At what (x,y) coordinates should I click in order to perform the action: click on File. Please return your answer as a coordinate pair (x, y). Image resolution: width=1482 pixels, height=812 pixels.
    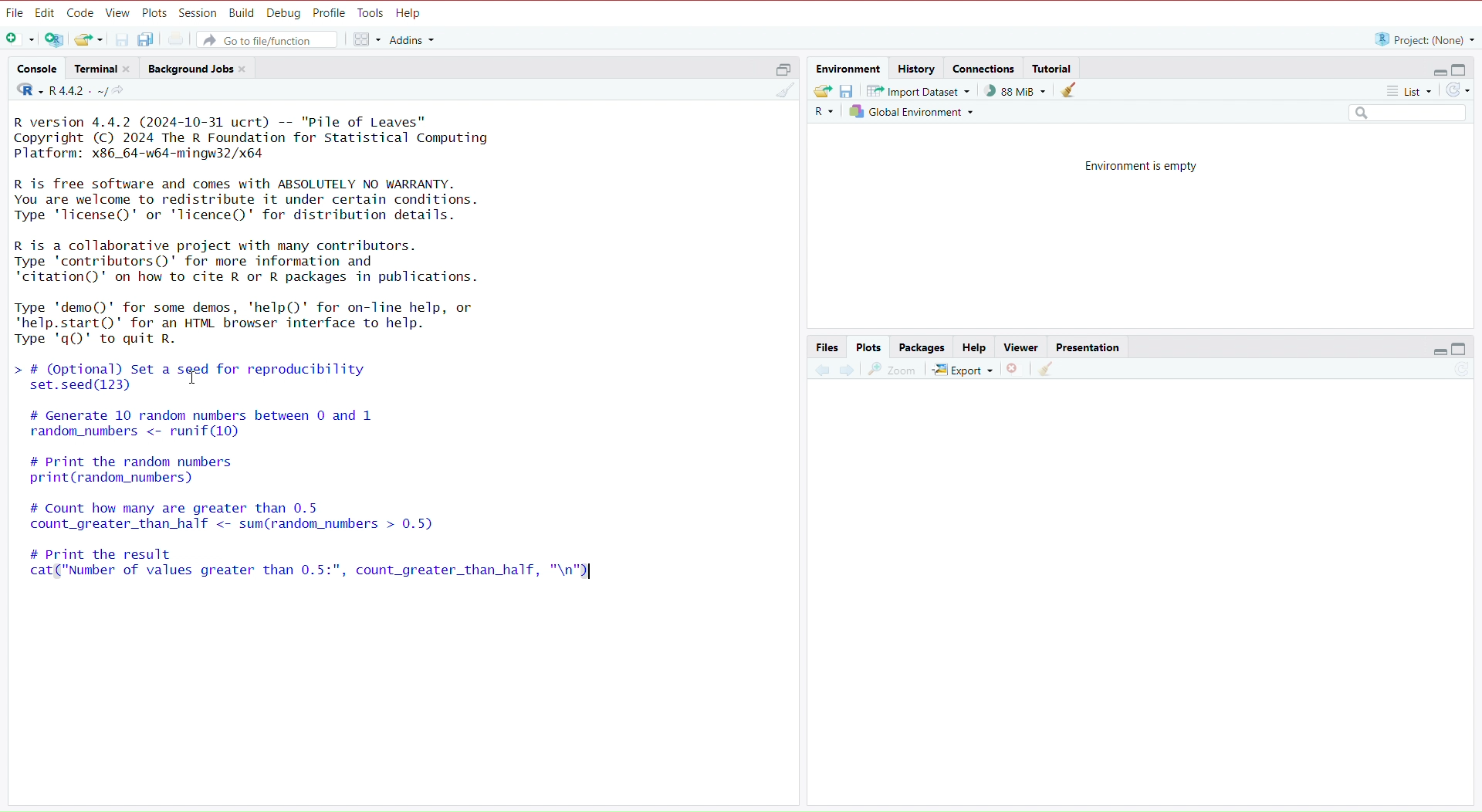
    Looking at the image, I should click on (15, 12).